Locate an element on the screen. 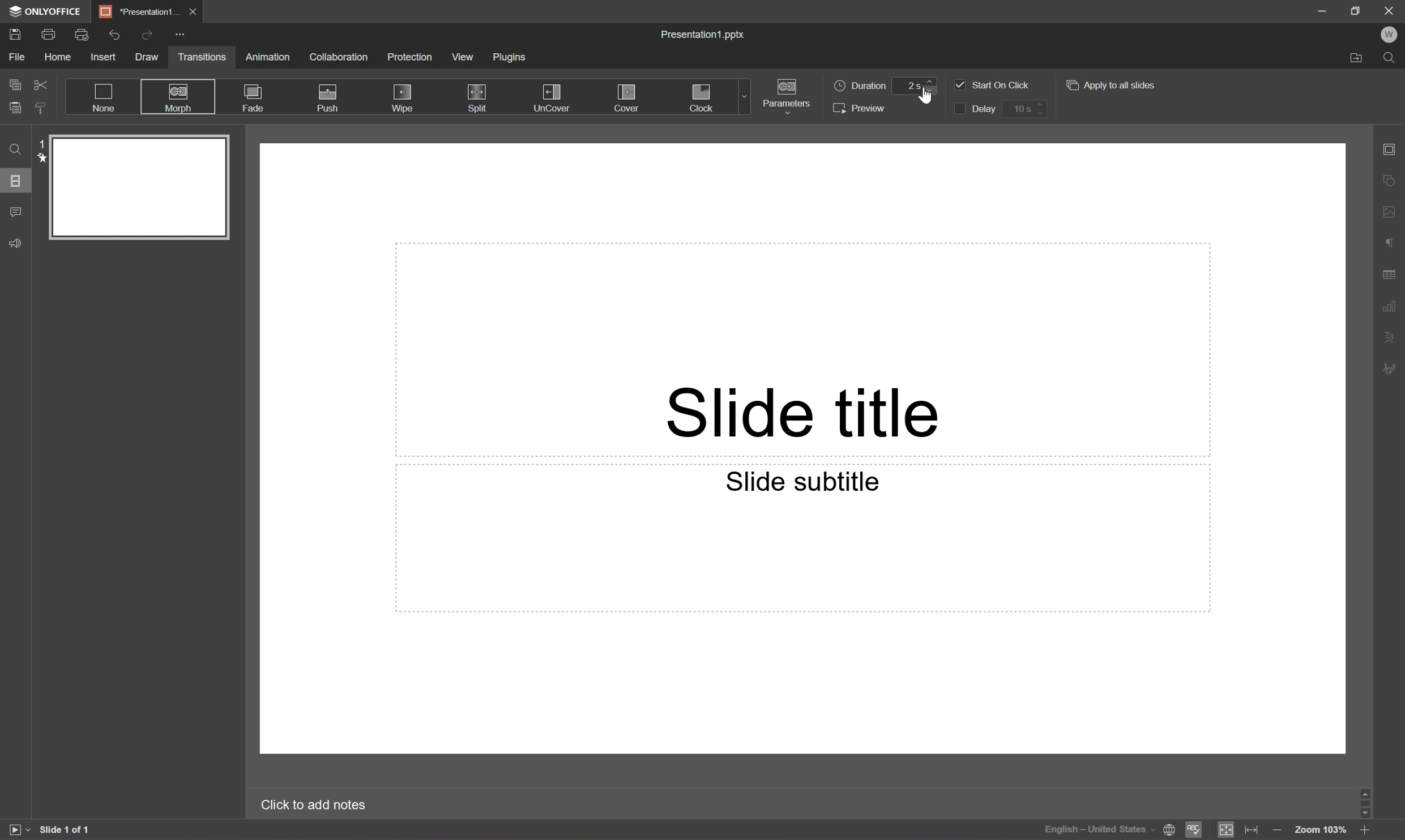  View is located at coordinates (463, 57).